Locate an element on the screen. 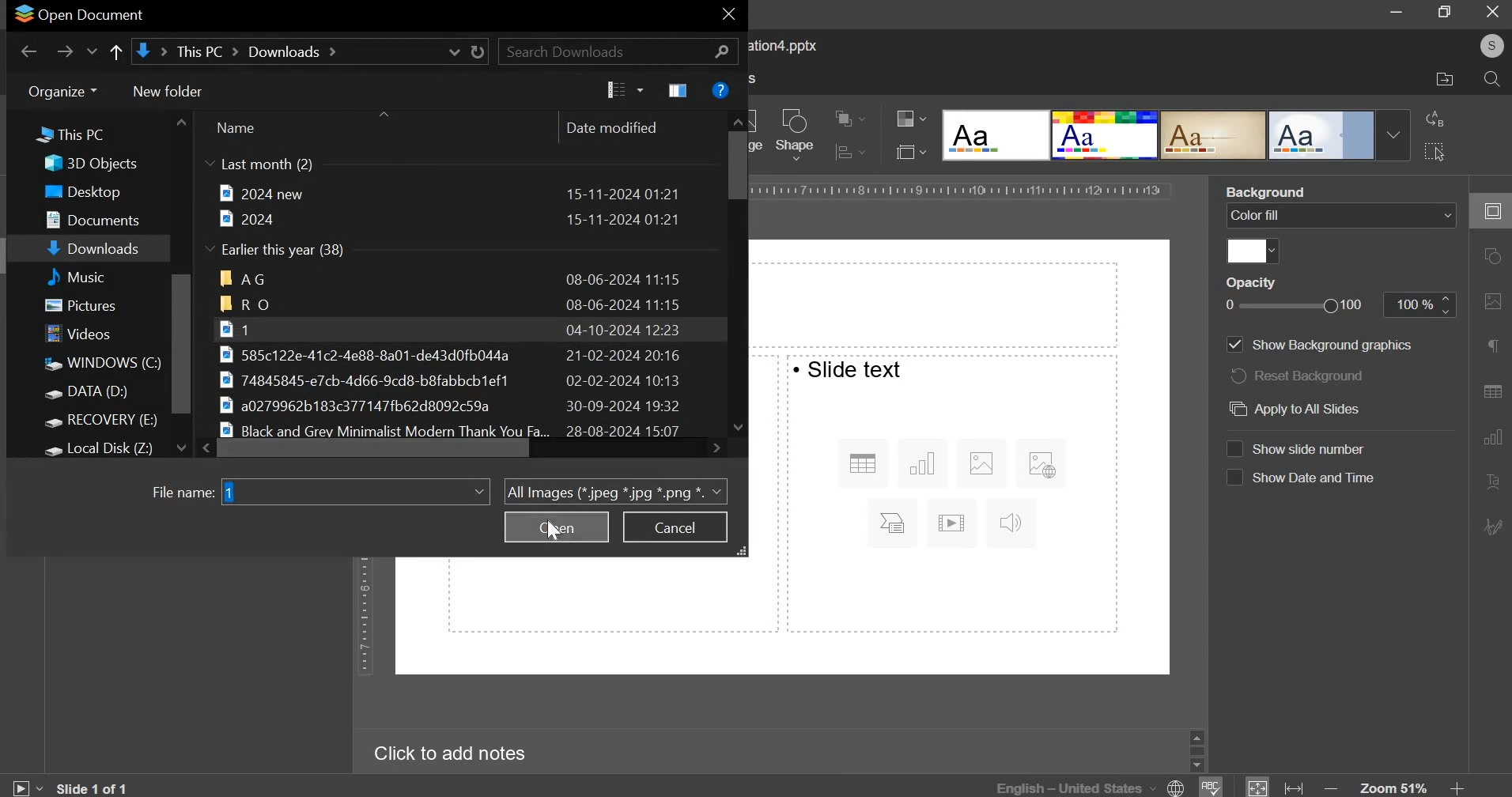 This screenshot has width=1512, height=797. background is located at coordinates (1294, 194).